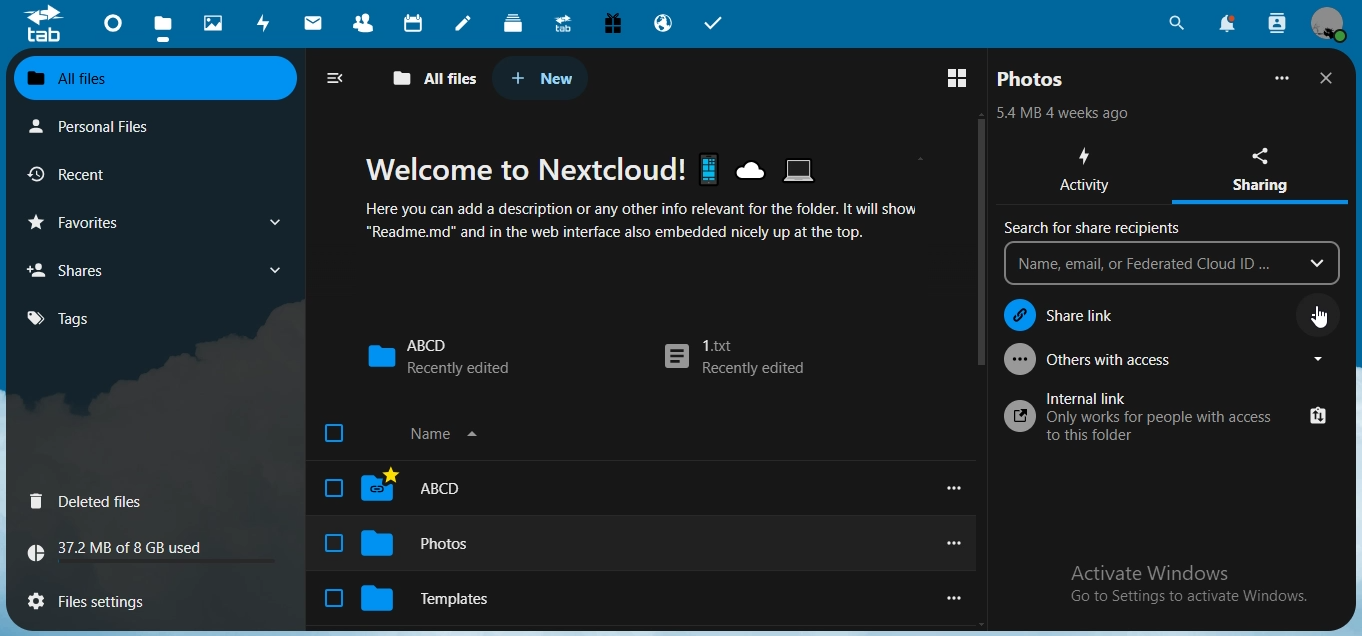  I want to click on notes, so click(462, 24).